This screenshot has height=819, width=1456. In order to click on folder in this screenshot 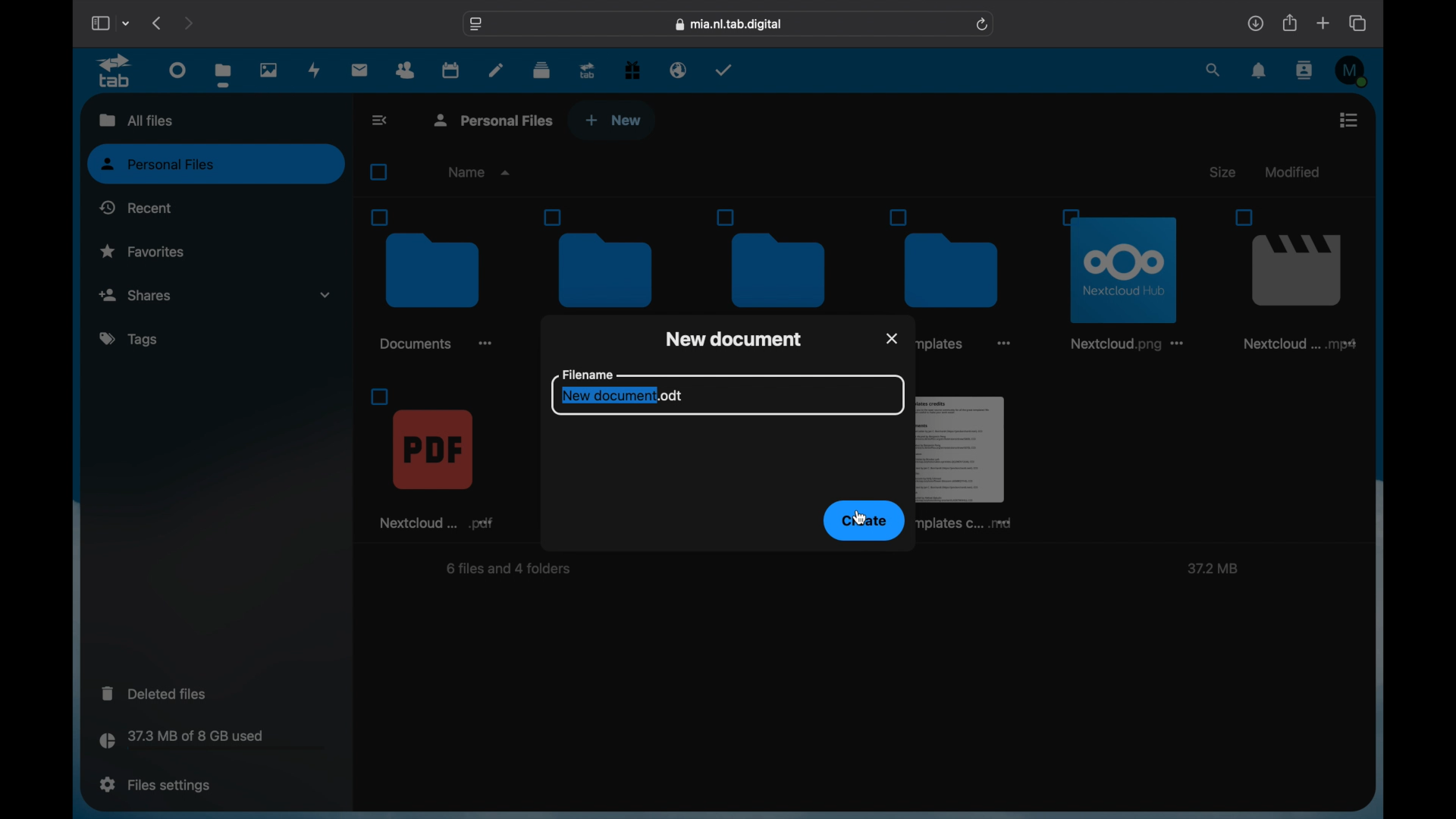, I will do `click(608, 259)`.